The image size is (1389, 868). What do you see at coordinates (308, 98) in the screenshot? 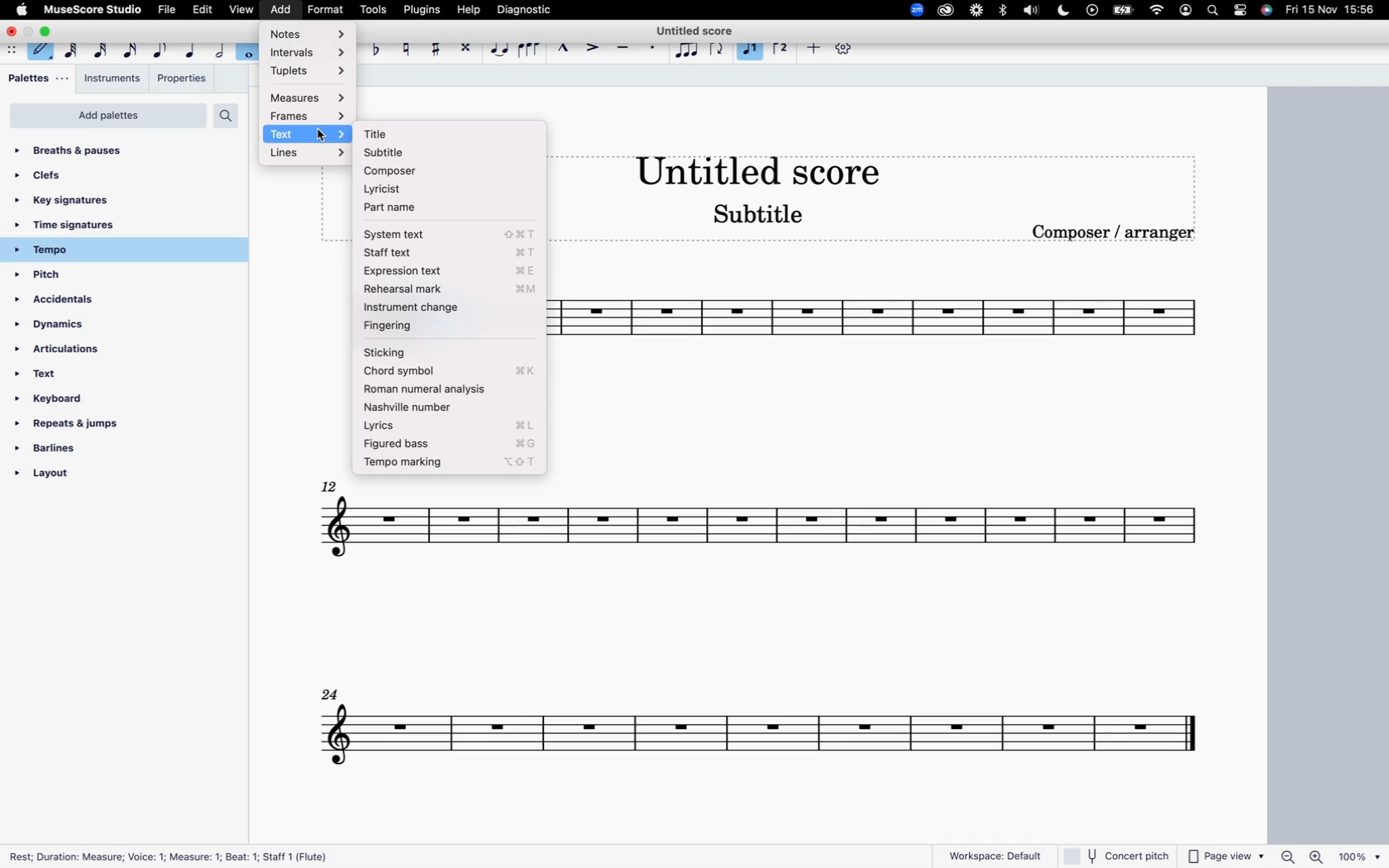
I see `measures` at bounding box center [308, 98].